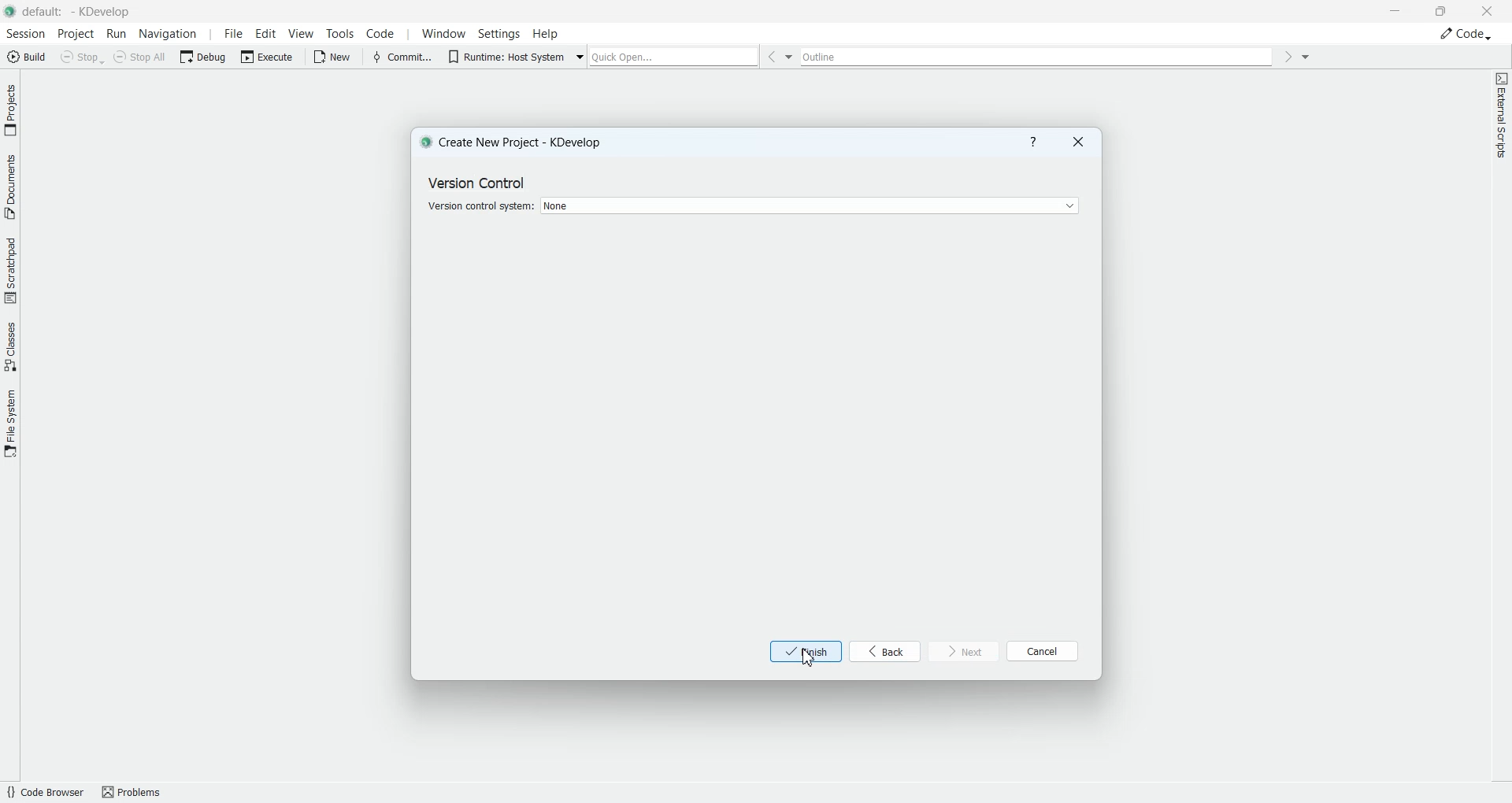  Describe the element at coordinates (205, 56) in the screenshot. I see `Debug` at that location.